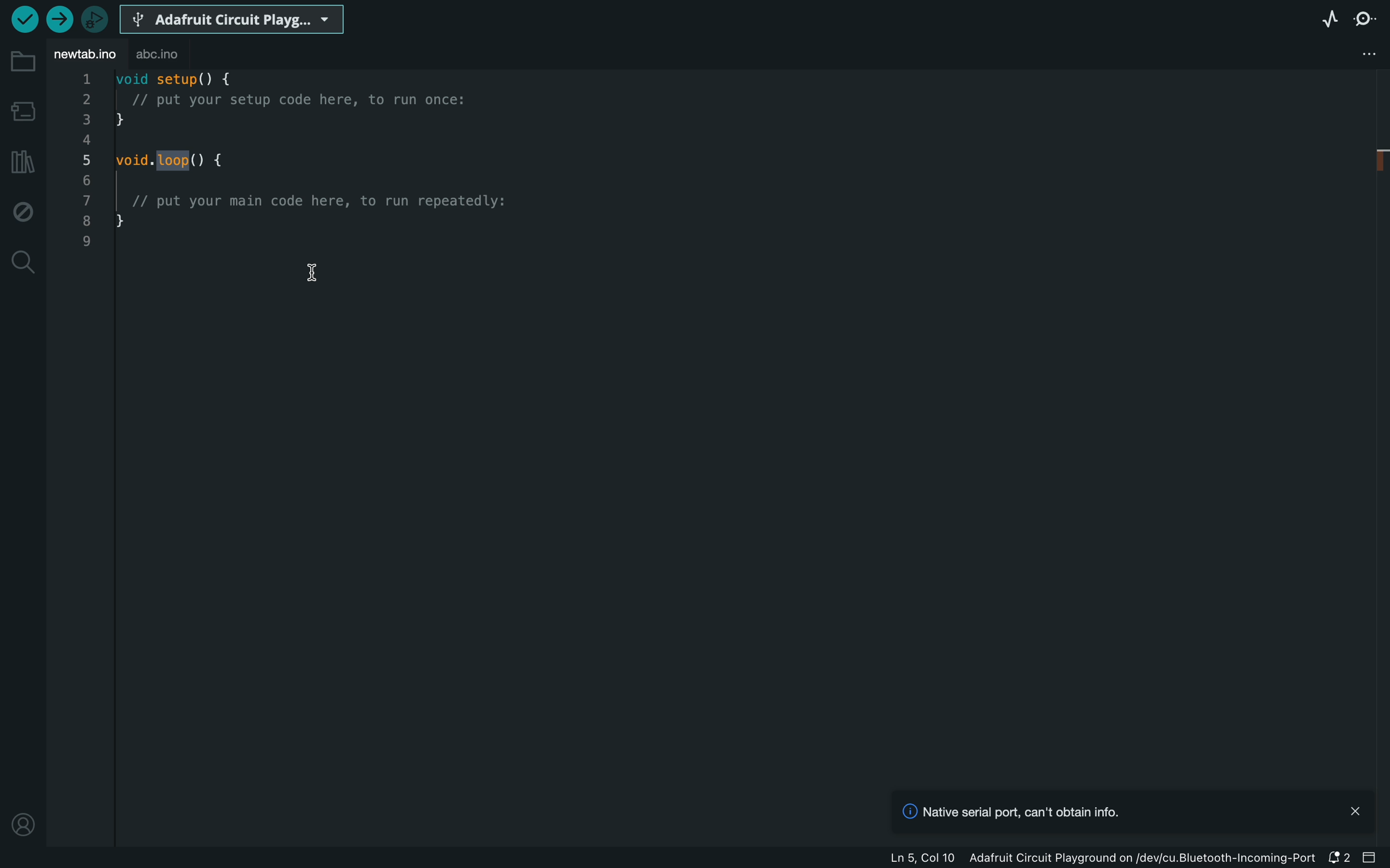  Describe the element at coordinates (59, 18) in the screenshot. I see `upload` at that location.